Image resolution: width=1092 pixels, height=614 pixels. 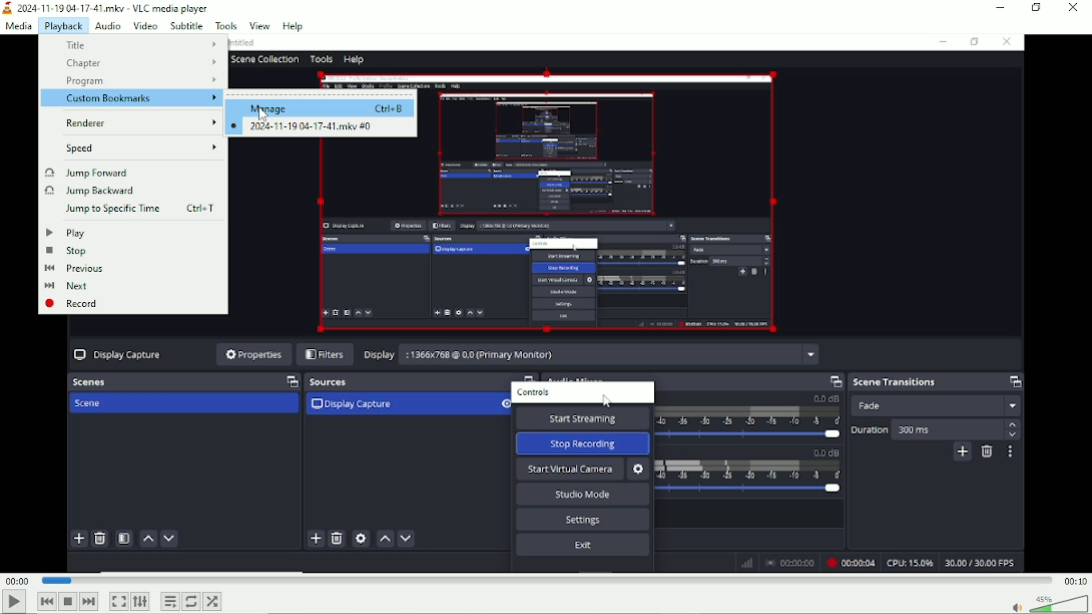 What do you see at coordinates (137, 209) in the screenshot?
I see `Jump to specific time` at bounding box center [137, 209].